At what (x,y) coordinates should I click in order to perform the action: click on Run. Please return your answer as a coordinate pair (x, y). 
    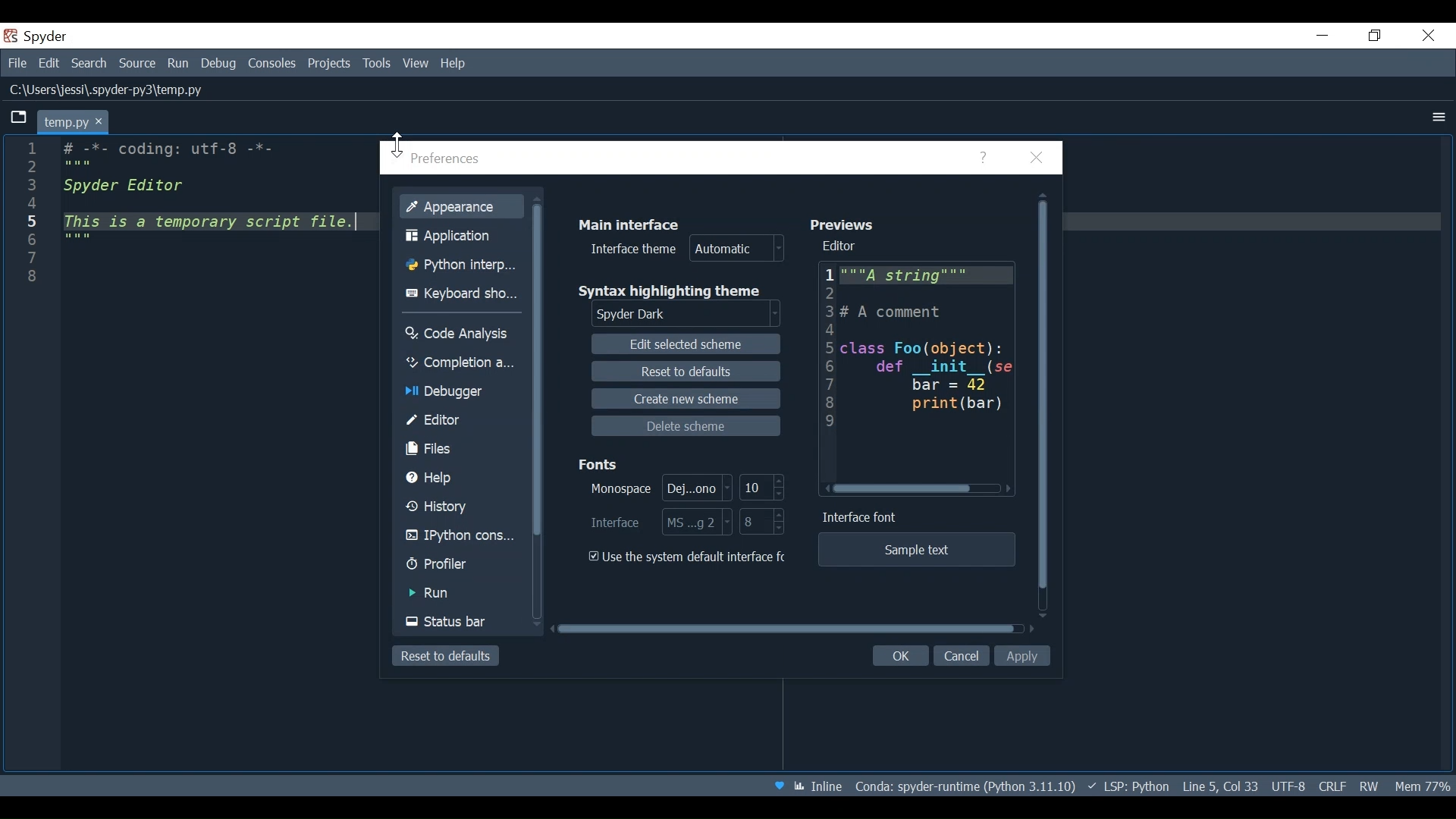
    Looking at the image, I should click on (178, 63).